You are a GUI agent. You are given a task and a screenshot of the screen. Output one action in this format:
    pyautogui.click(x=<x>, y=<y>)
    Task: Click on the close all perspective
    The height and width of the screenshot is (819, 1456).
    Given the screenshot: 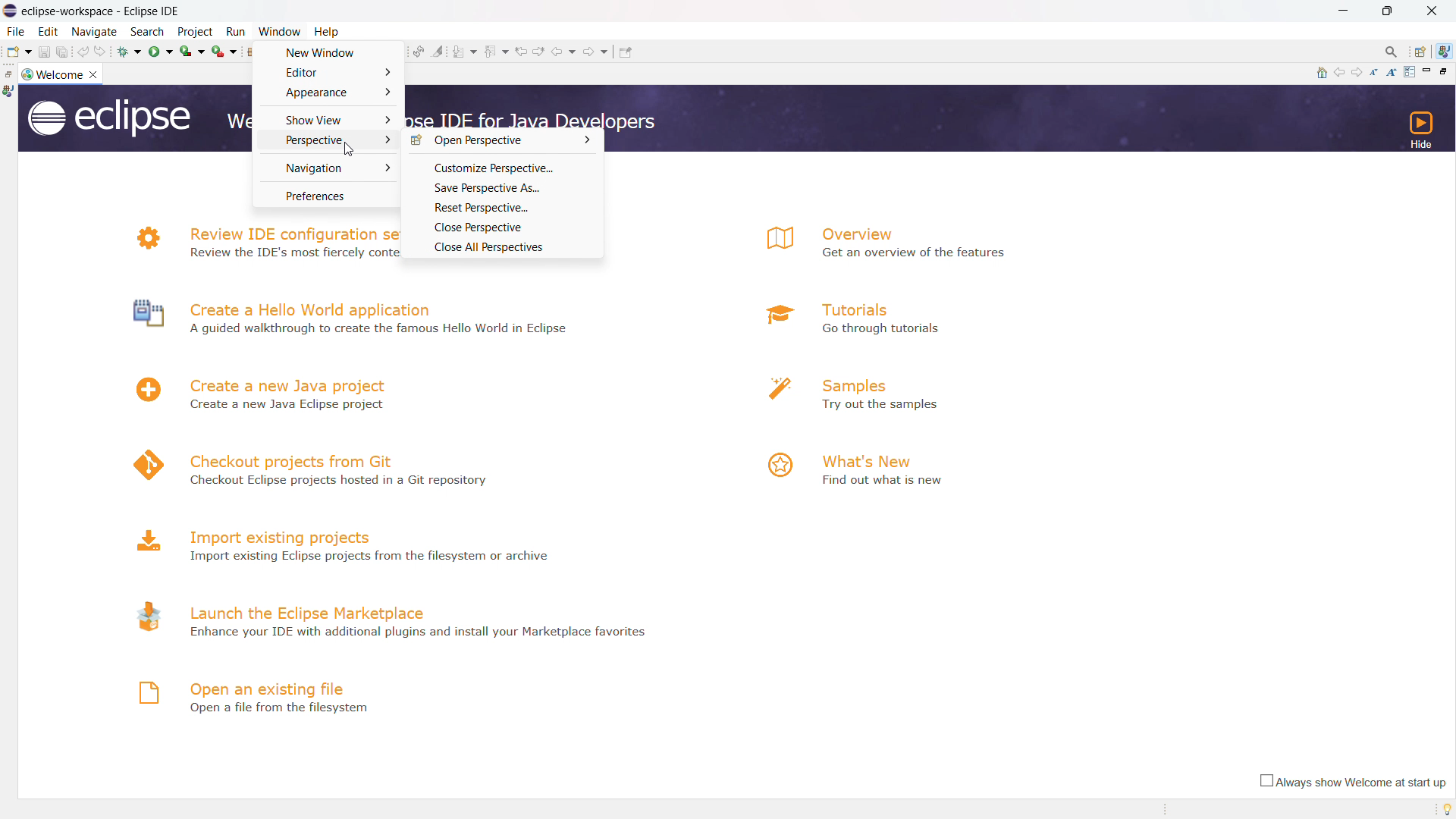 What is the action you would take?
    pyautogui.click(x=503, y=246)
    